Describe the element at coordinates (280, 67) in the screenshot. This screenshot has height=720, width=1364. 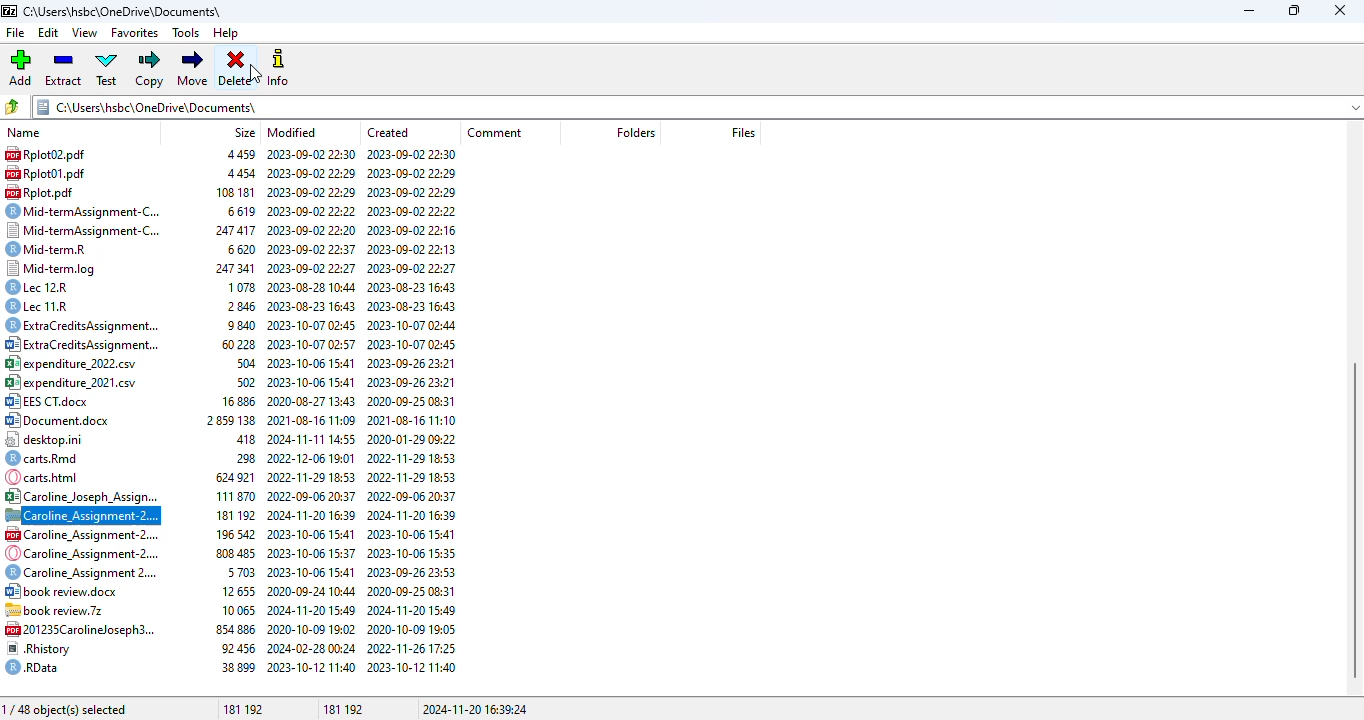
I see `info` at that location.